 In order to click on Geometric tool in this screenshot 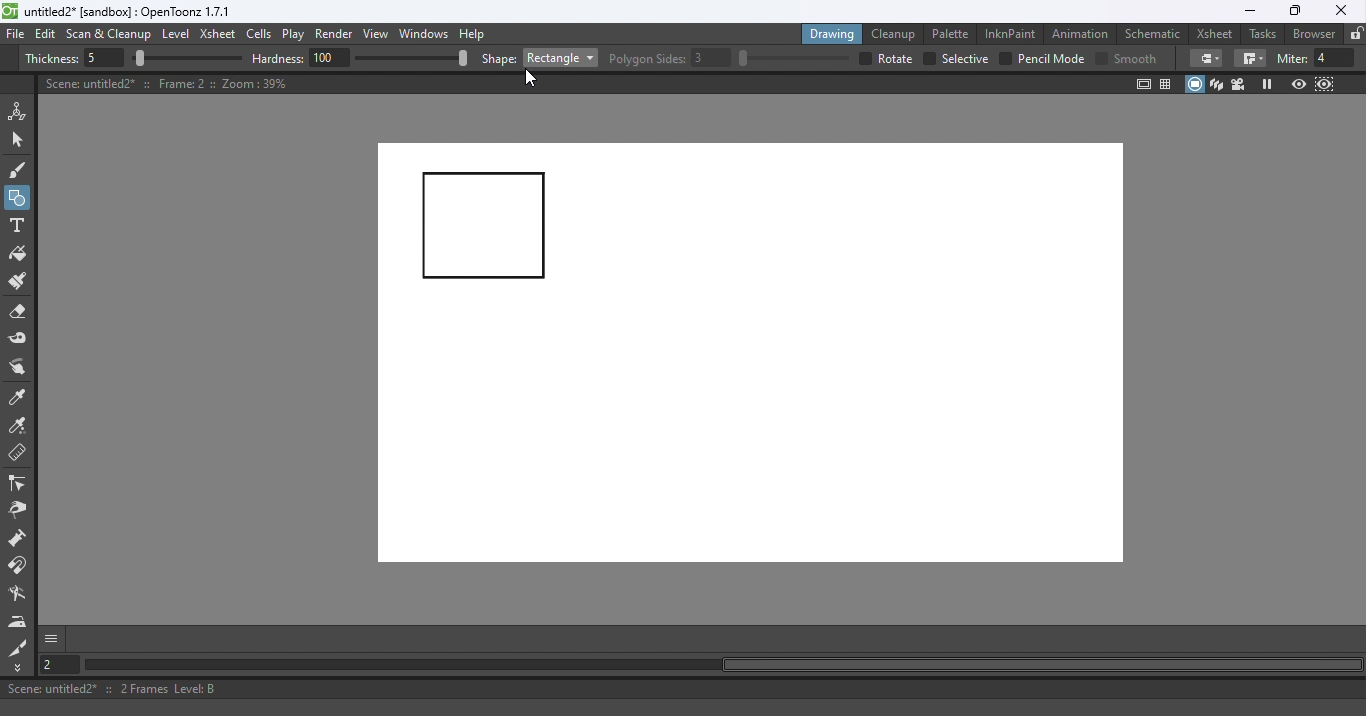, I will do `click(19, 198)`.